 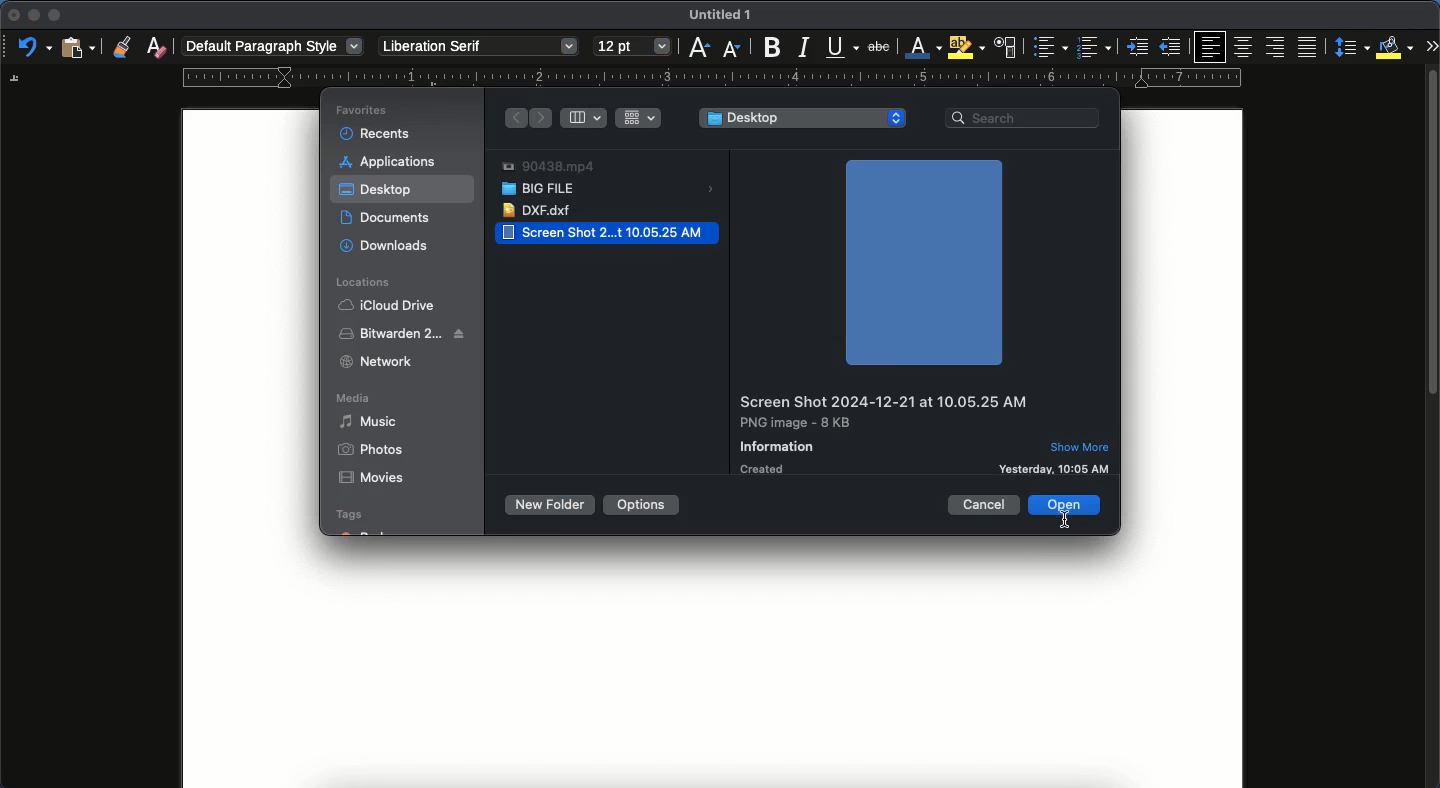 I want to click on justify, so click(x=1309, y=47).